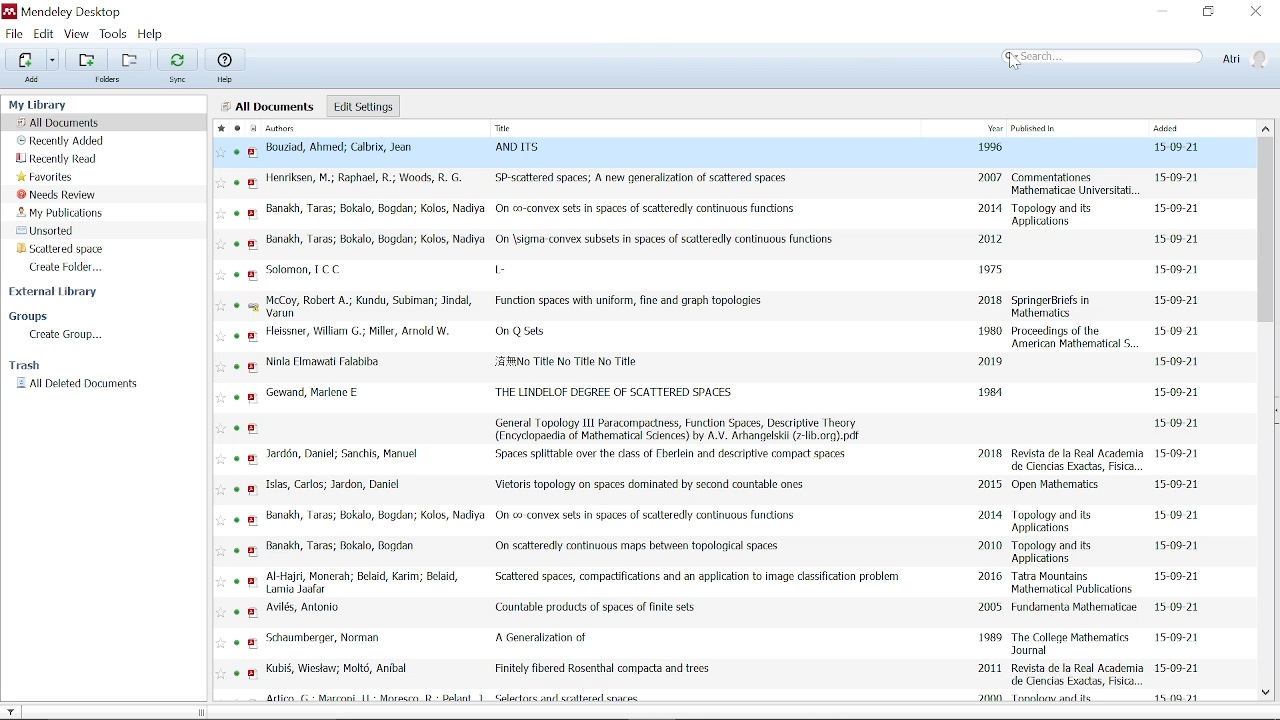 This screenshot has height=720, width=1280. What do you see at coordinates (727, 643) in the screenshot?
I see `Schaumberger, Norman A Generalization of 1989 The College Mathematics Journal 15-09-21` at bounding box center [727, 643].